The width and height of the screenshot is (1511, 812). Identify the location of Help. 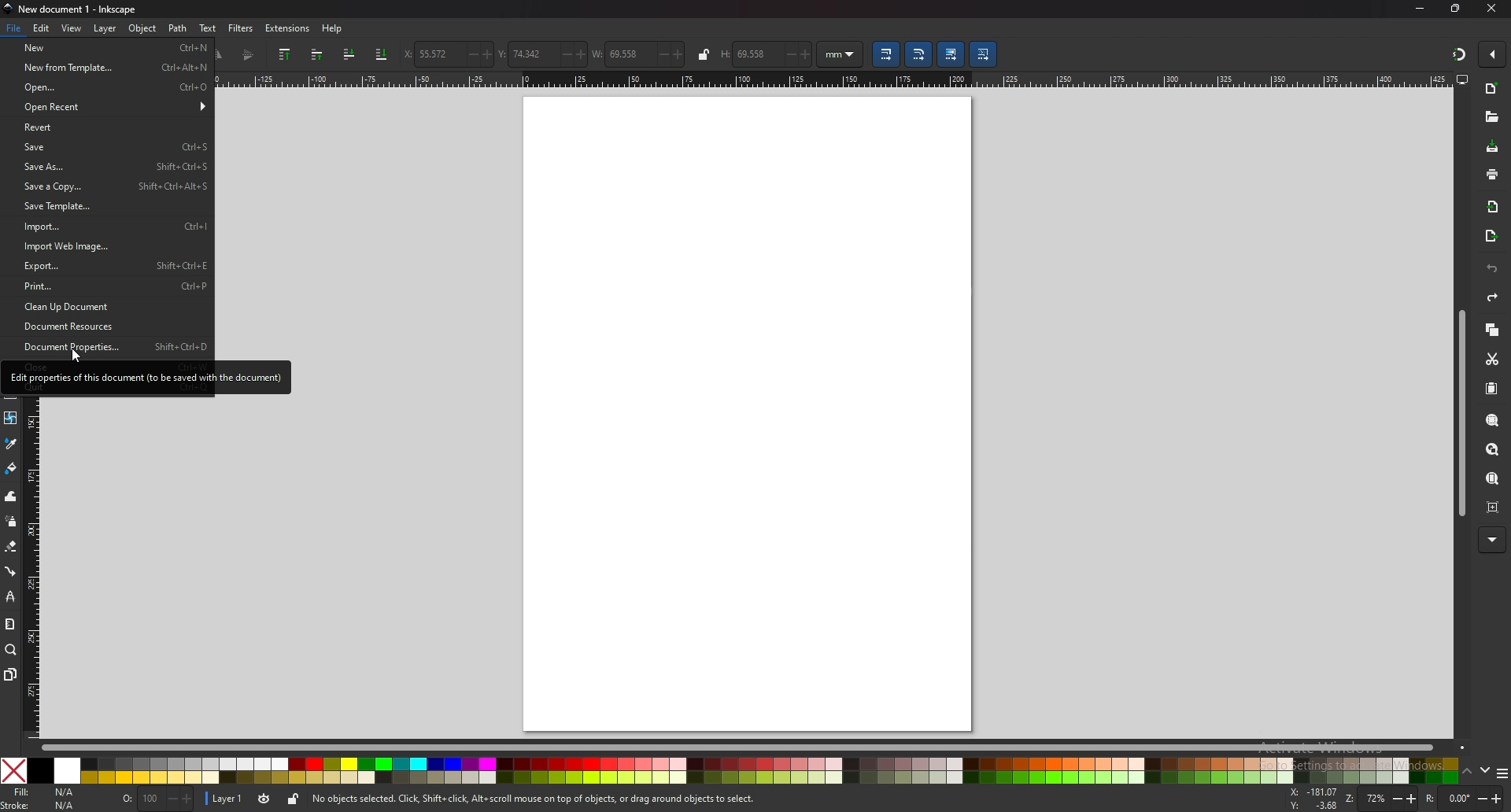
(332, 28).